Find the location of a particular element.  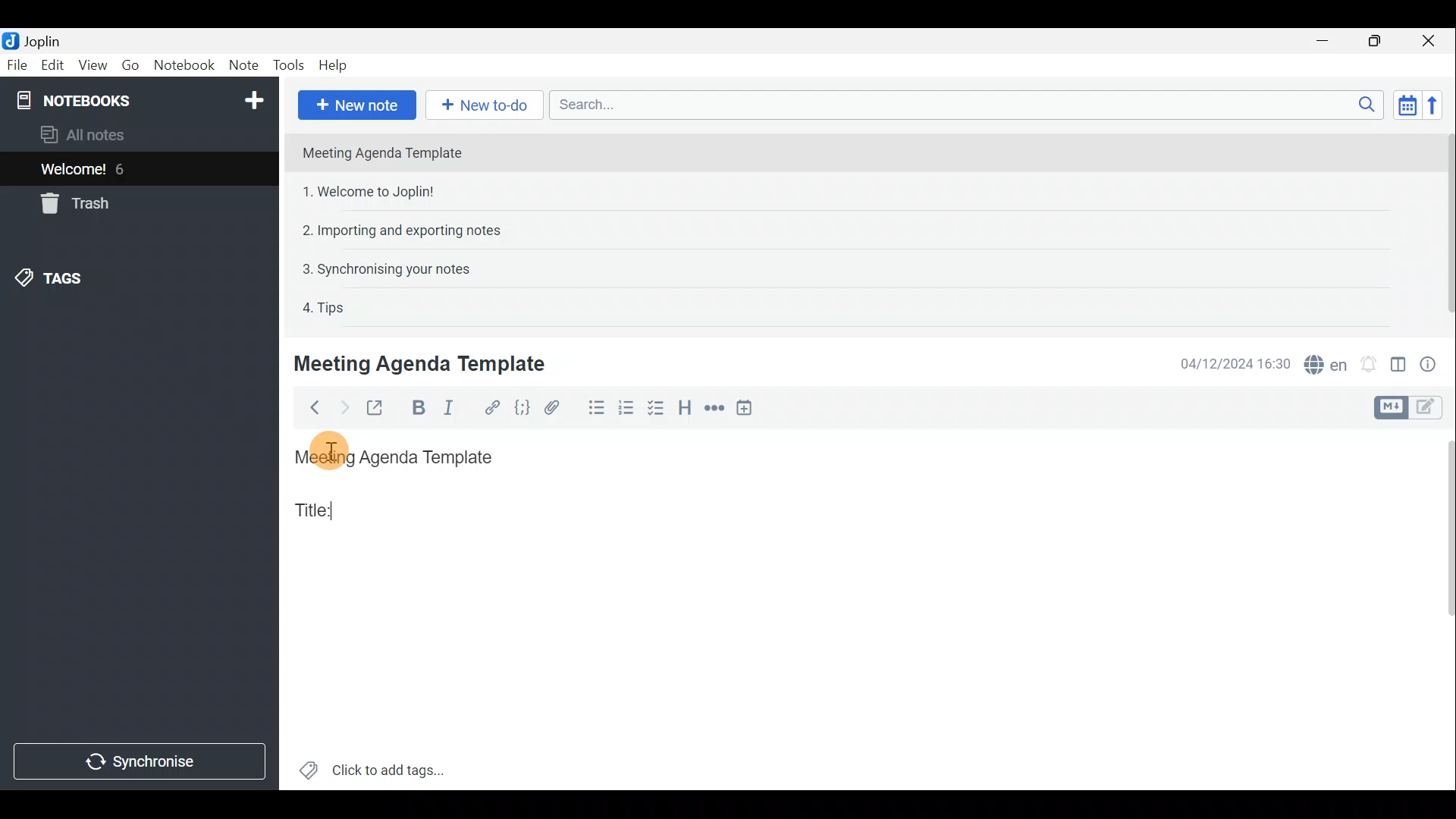

New to-do is located at coordinates (482, 105).